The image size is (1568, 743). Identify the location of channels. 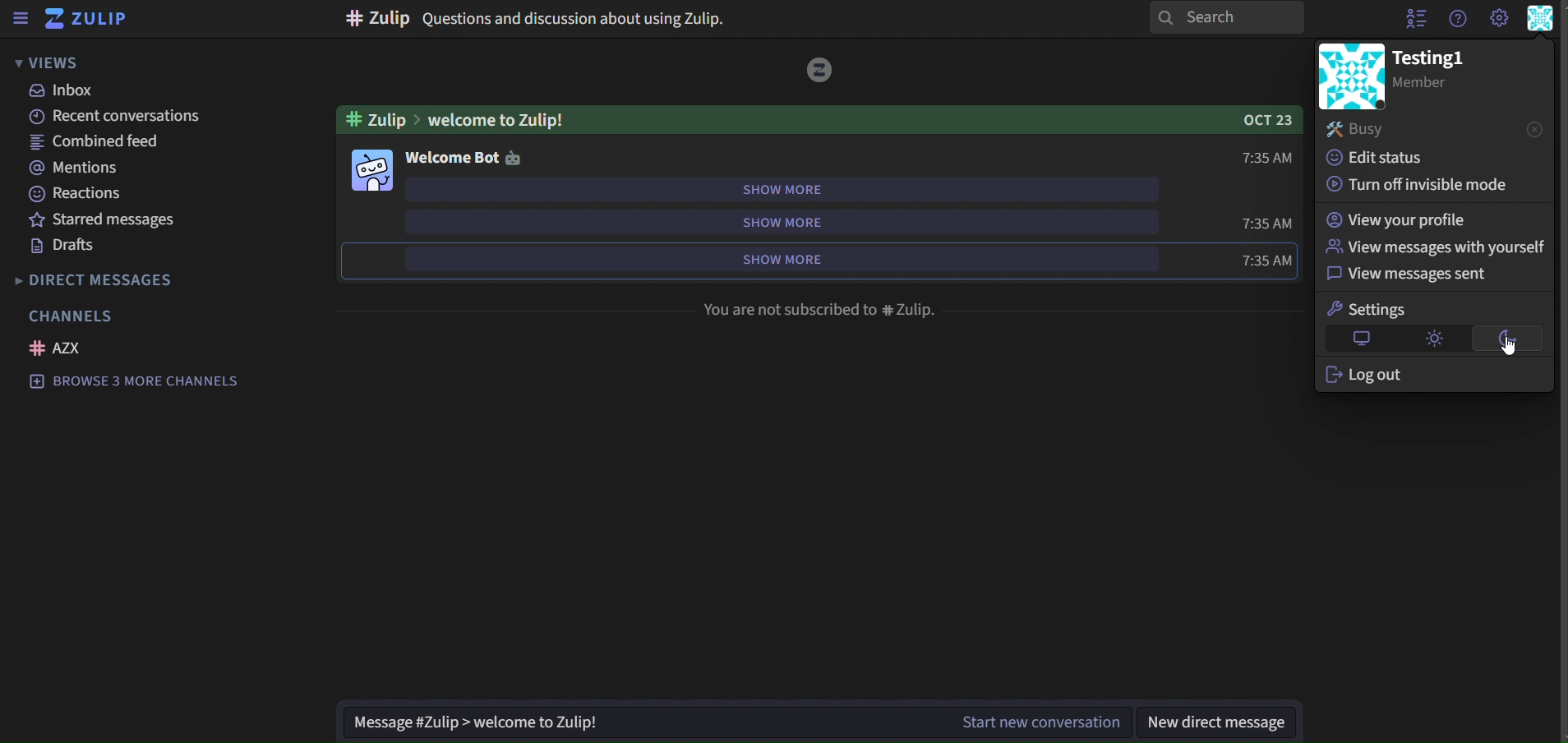
(69, 314).